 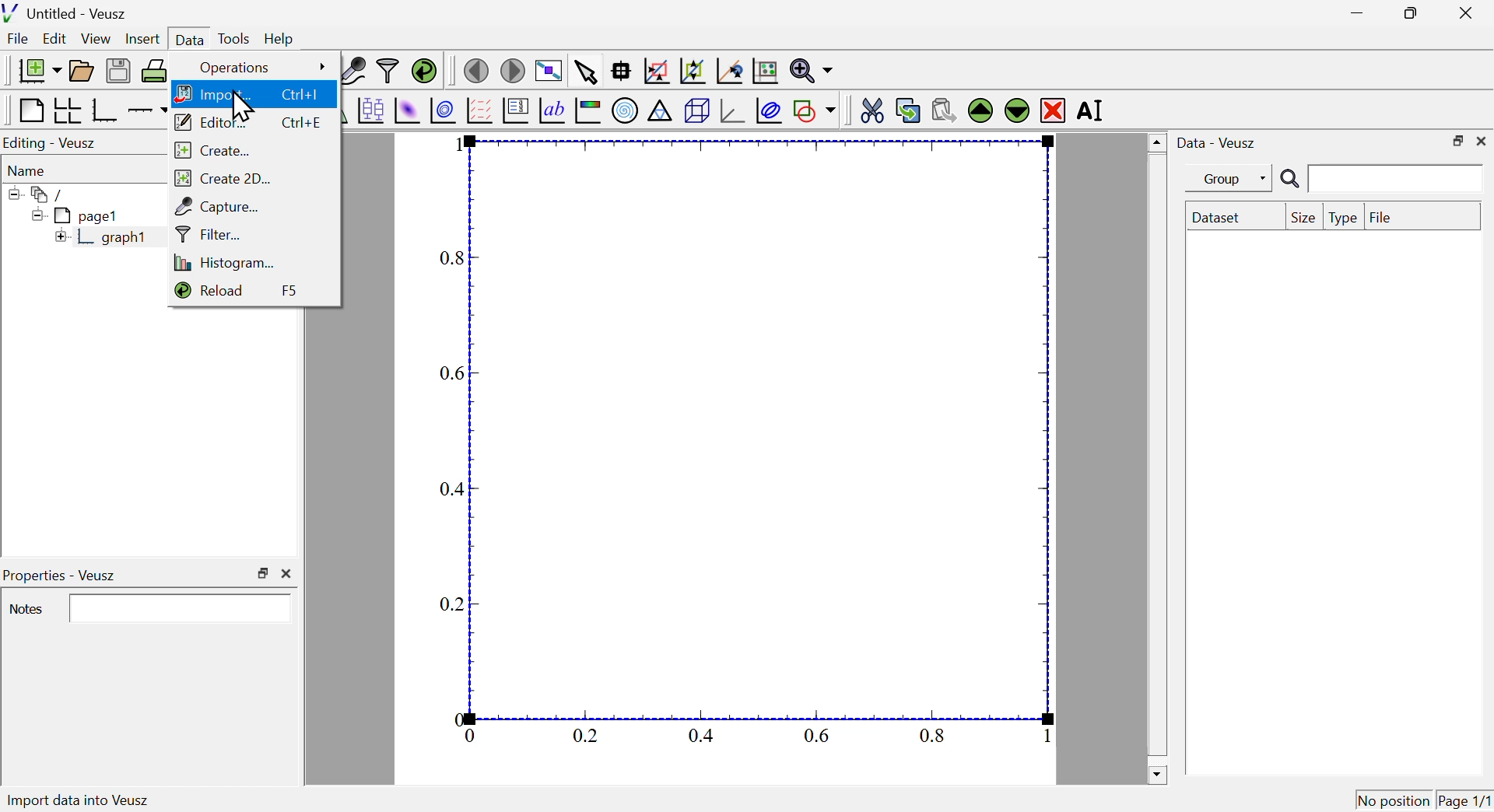 I want to click on Reload F5, so click(x=246, y=292).